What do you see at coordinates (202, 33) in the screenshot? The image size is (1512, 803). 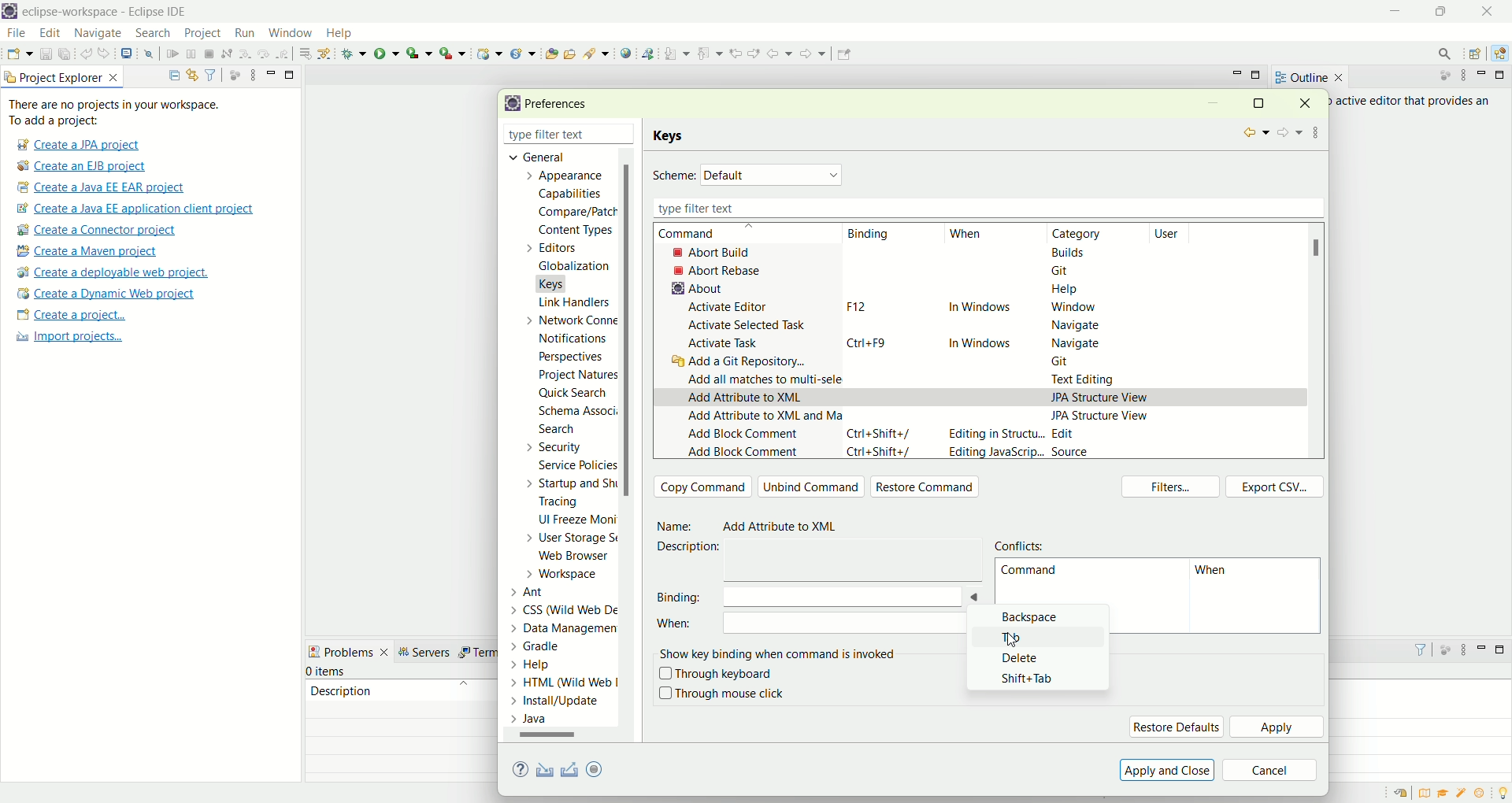 I see `project` at bounding box center [202, 33].